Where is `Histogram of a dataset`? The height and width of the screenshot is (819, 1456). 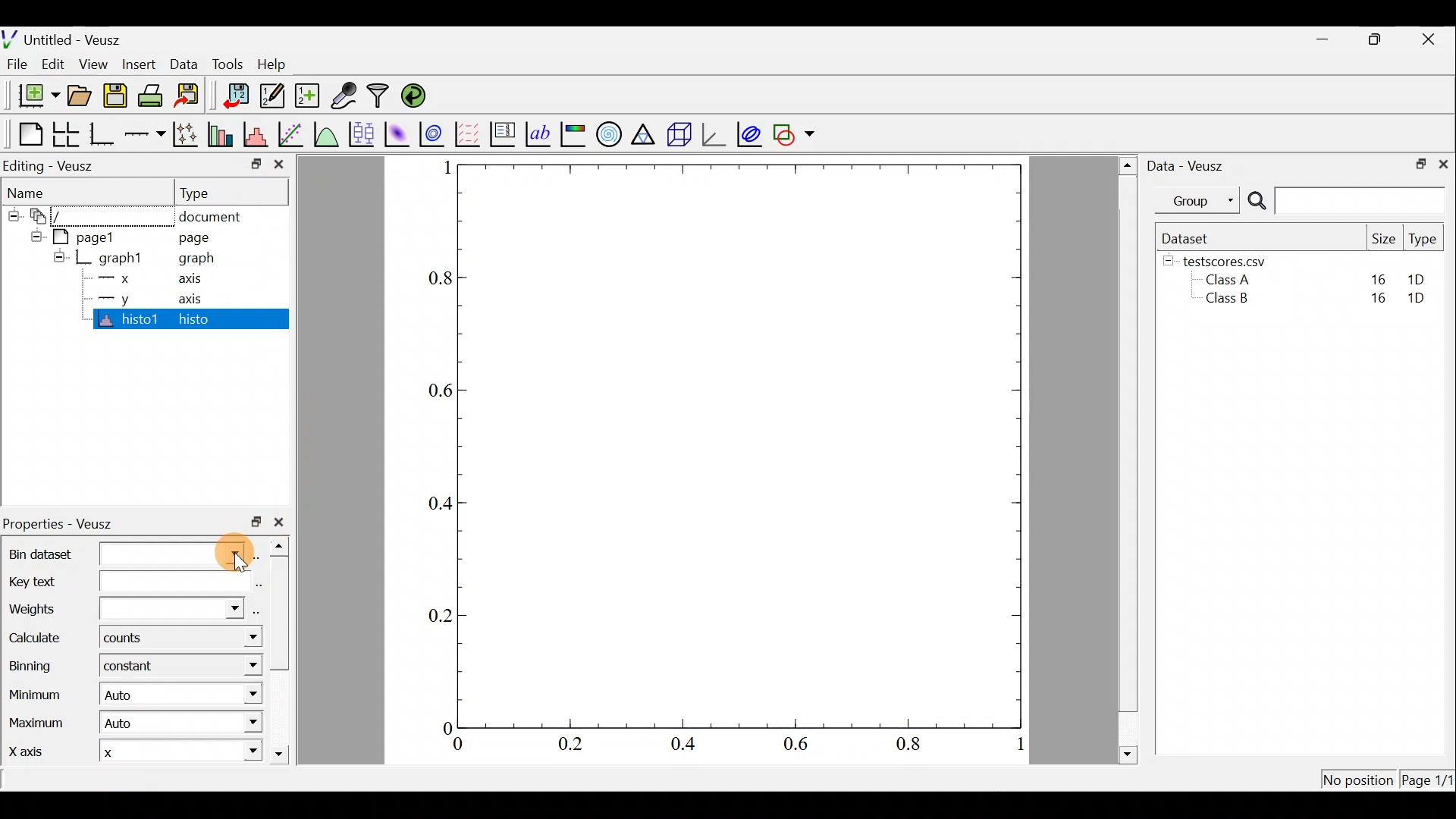
Histogram of a dataset is located at coordinates (258, 134).